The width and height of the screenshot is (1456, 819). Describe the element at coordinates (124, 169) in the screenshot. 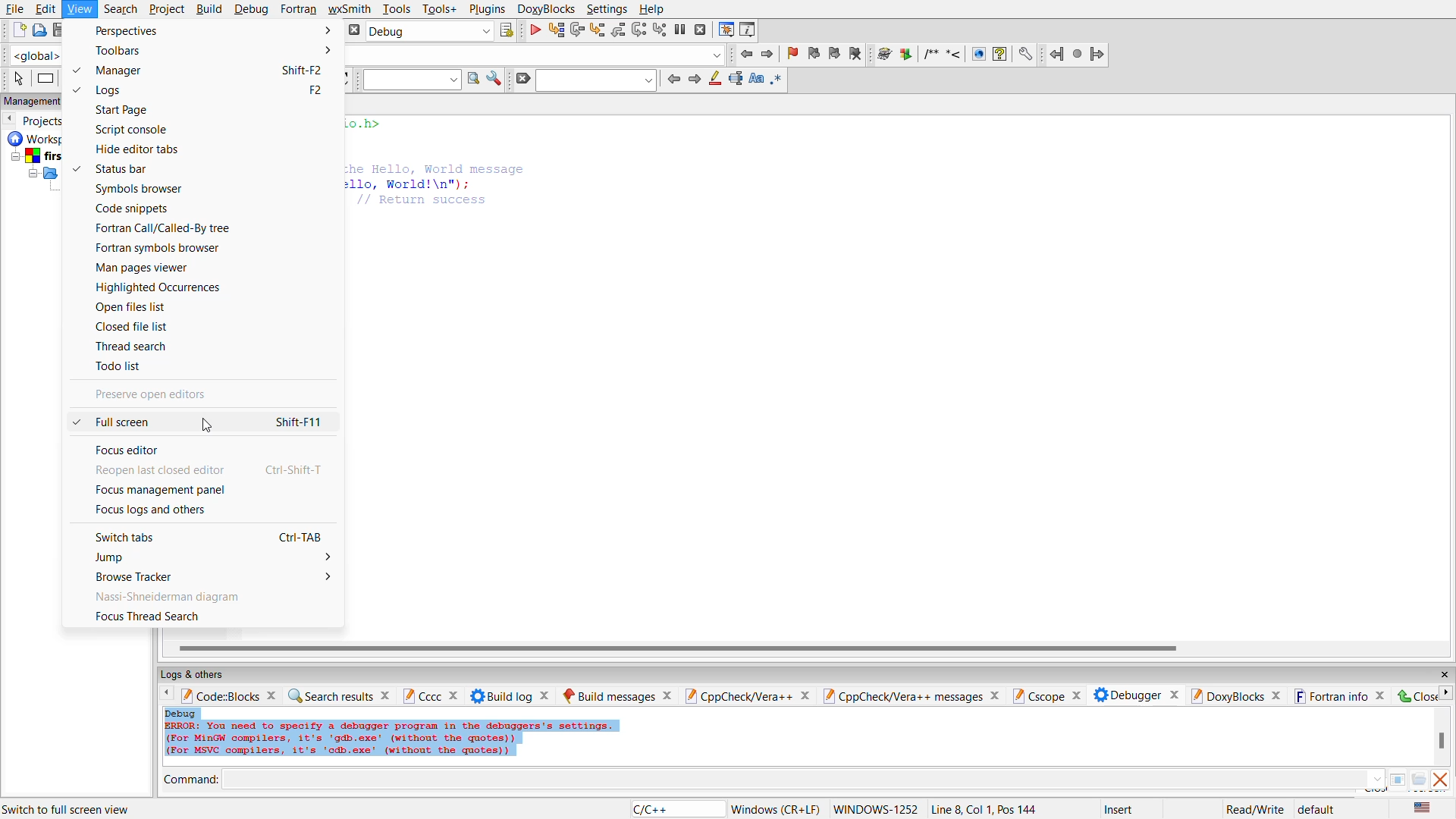

I see `status bar` at that location.